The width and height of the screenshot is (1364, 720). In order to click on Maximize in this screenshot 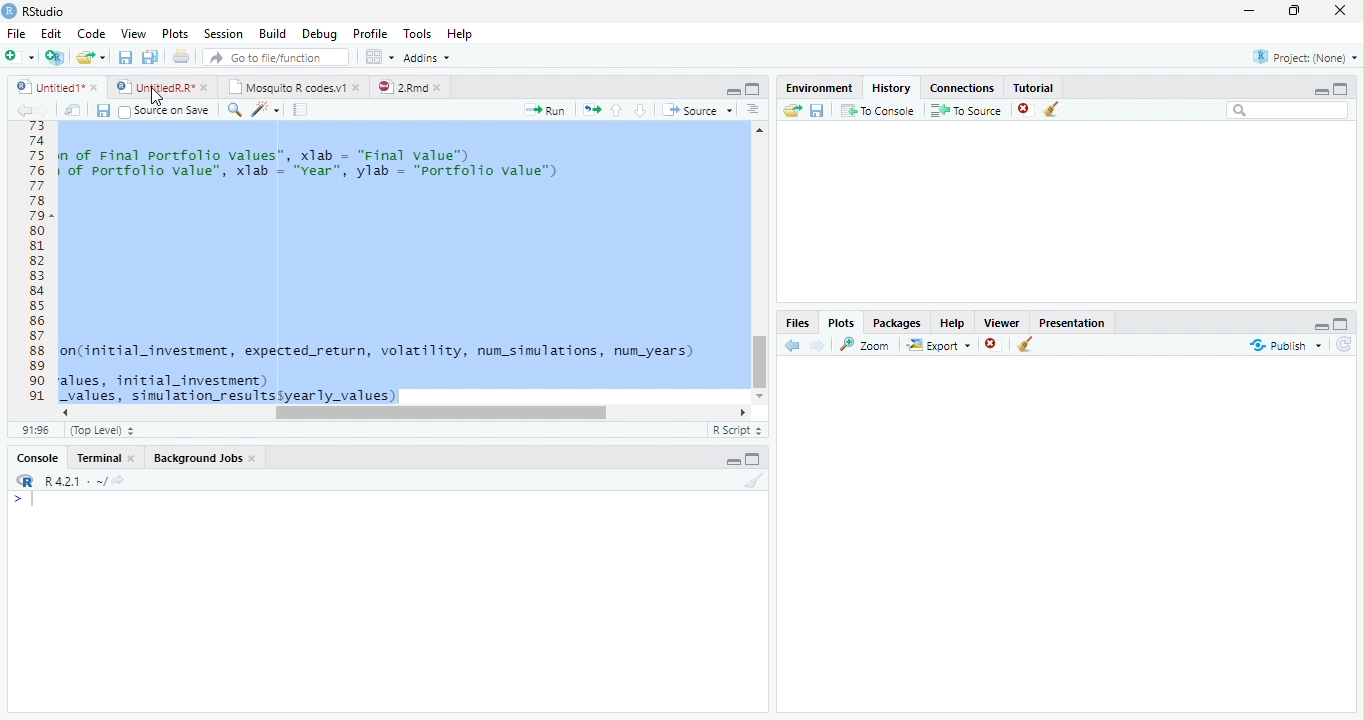, I will do `click(1299, 12)`.